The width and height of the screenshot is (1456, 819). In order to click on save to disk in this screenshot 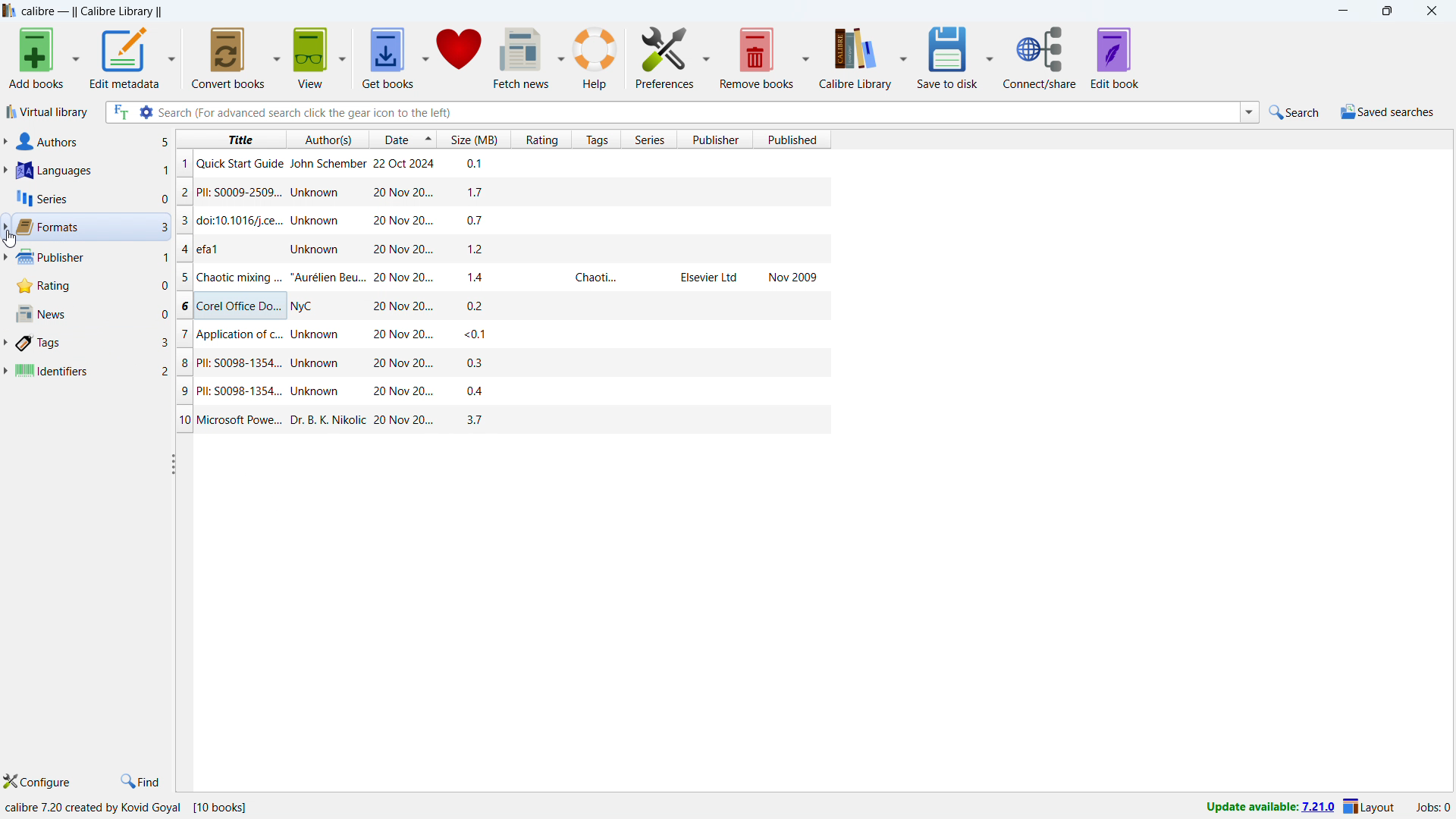, I will do `click(946, 57)`.